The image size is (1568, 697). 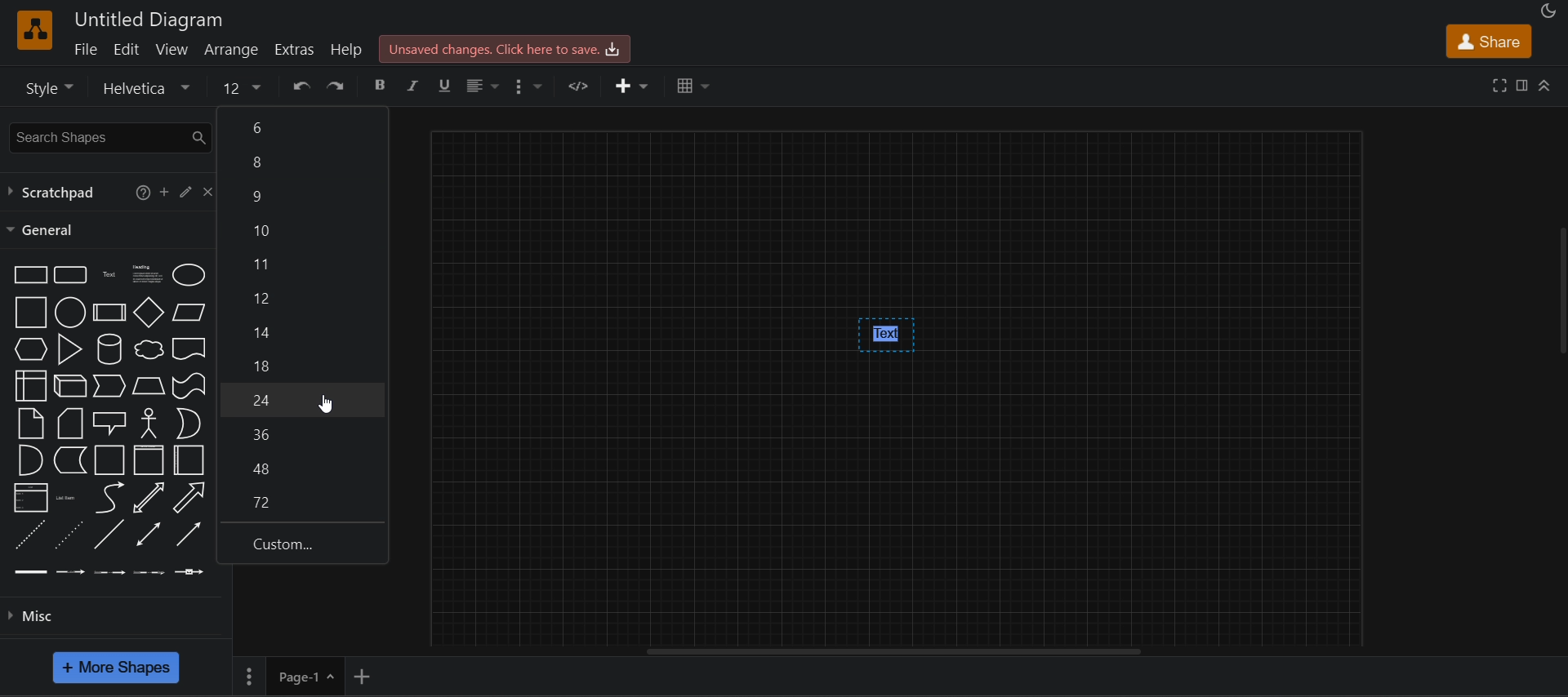 I want to click on style, so click(x=47, y=87).